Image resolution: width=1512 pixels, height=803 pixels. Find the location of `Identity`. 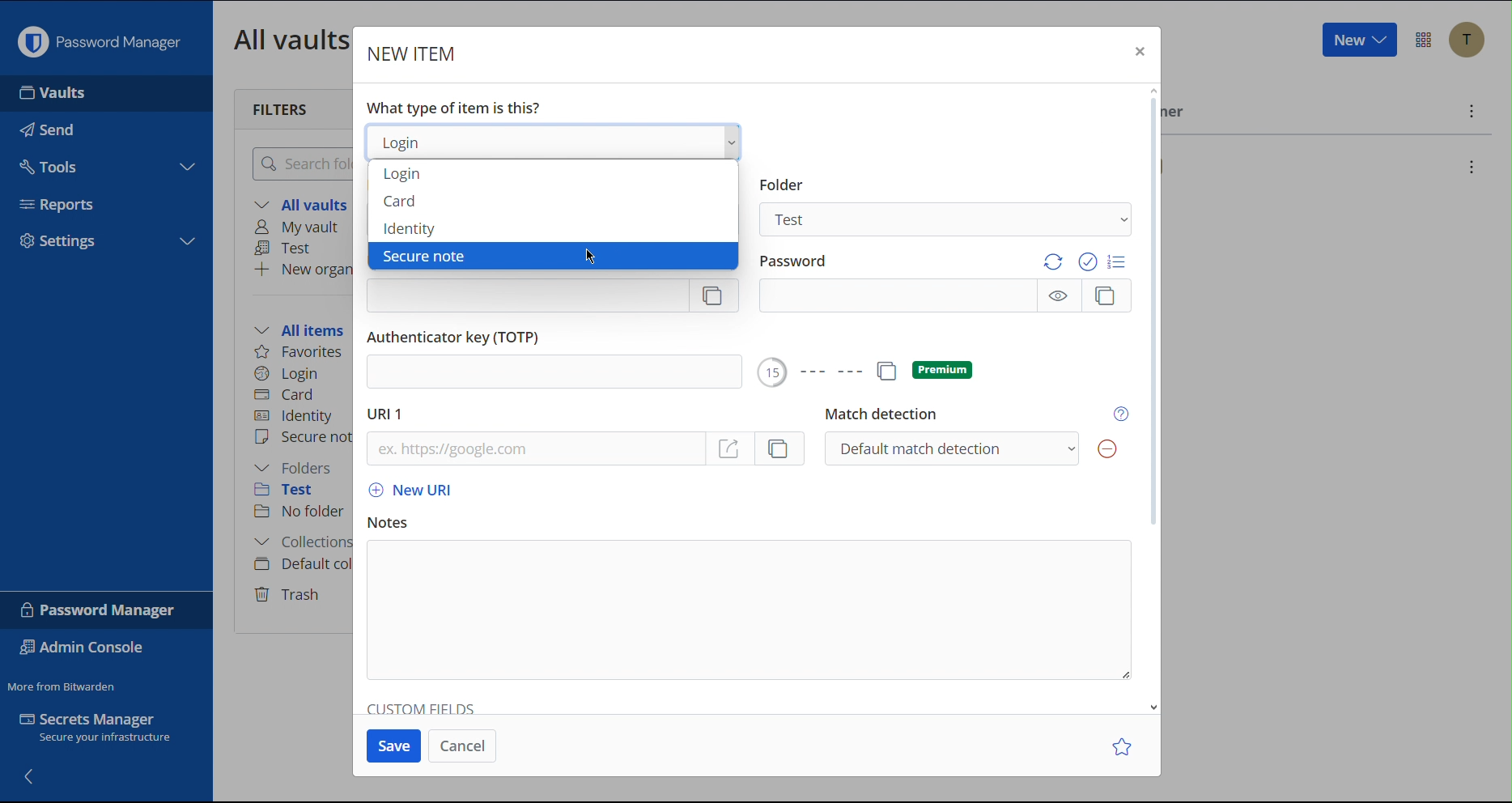

Identity is located at coordinates (295, 416).